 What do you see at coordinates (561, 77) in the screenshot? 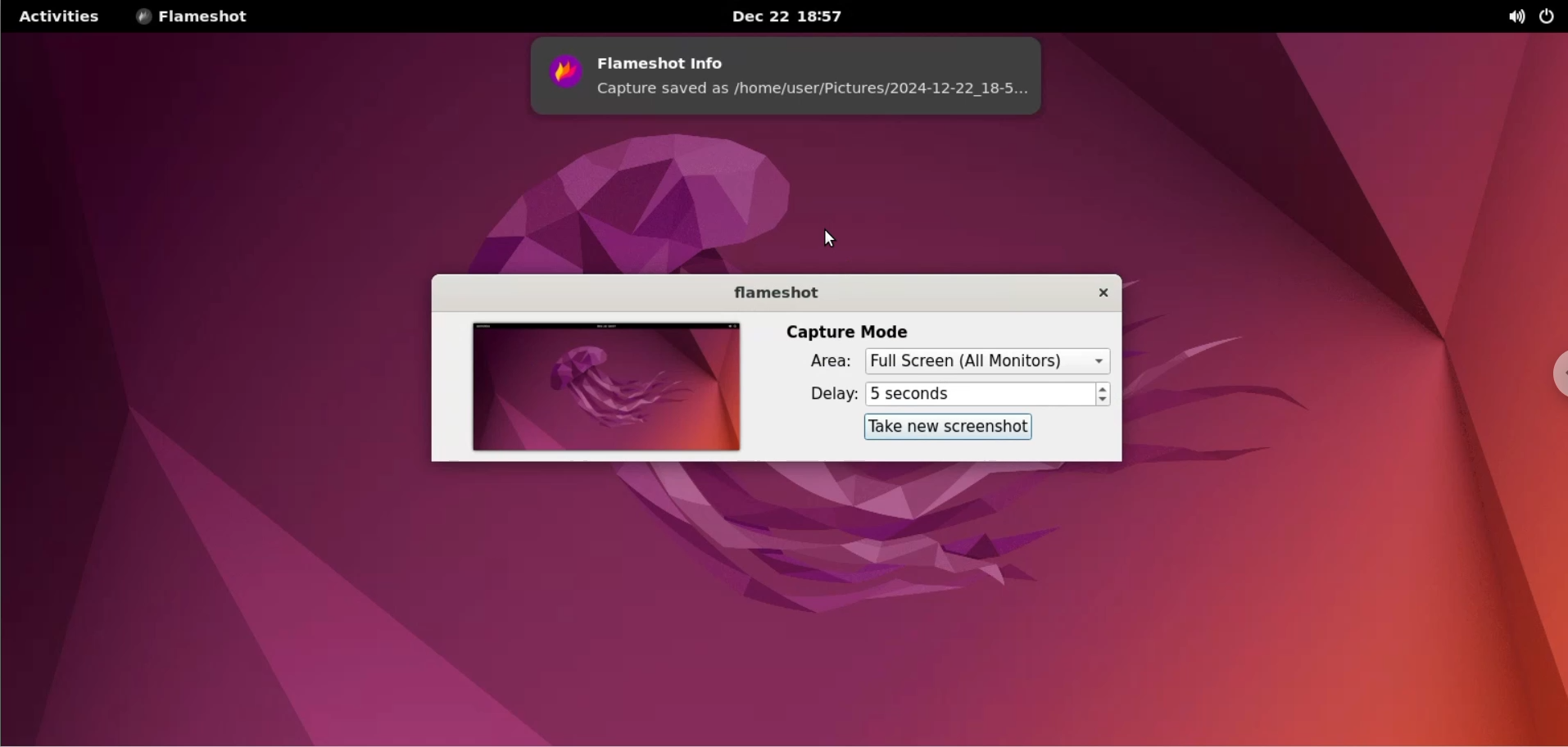
I see `flameshot logo` at bounding box center [561, 77].